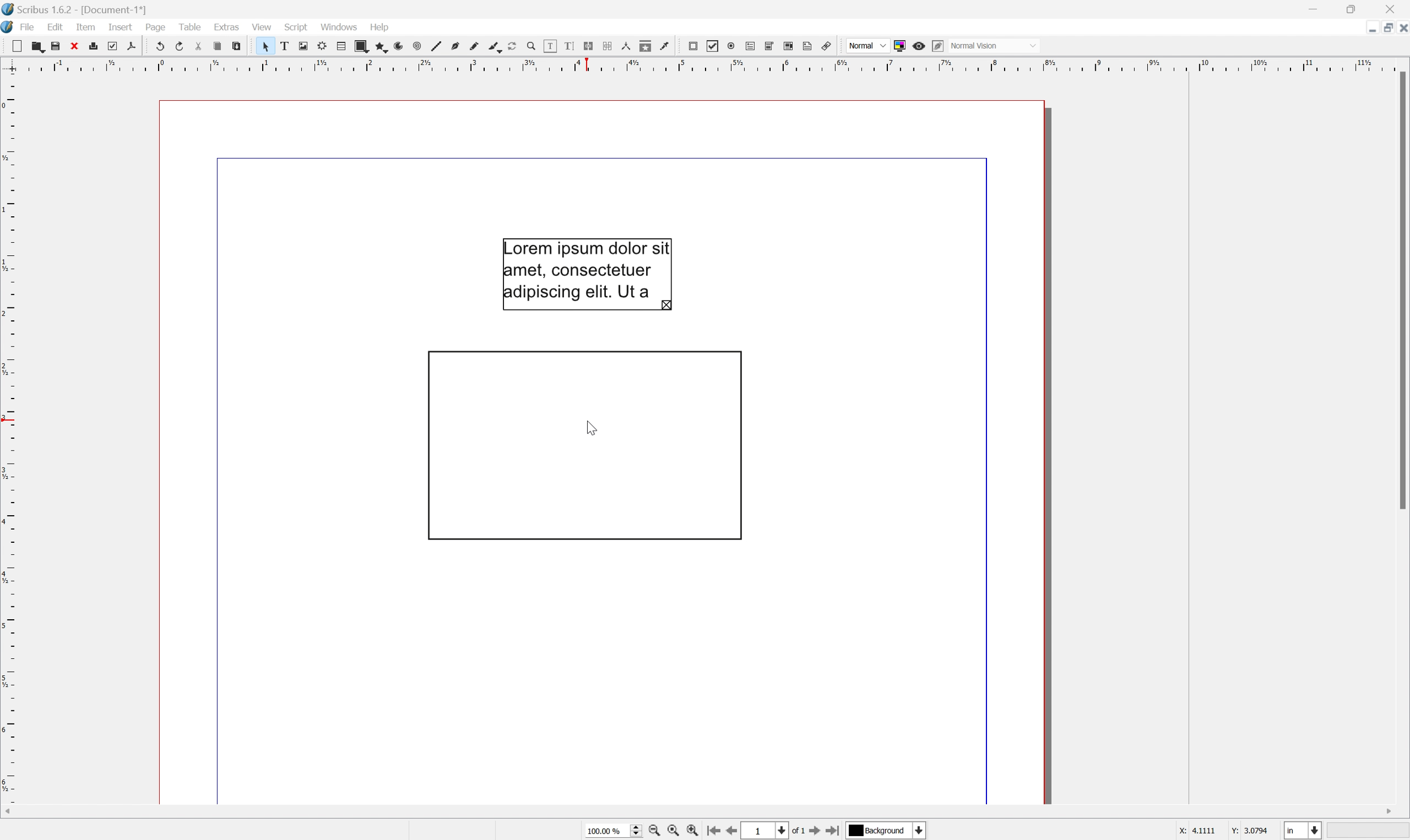  I want to click on Select the current unit, so click(1304, 831).